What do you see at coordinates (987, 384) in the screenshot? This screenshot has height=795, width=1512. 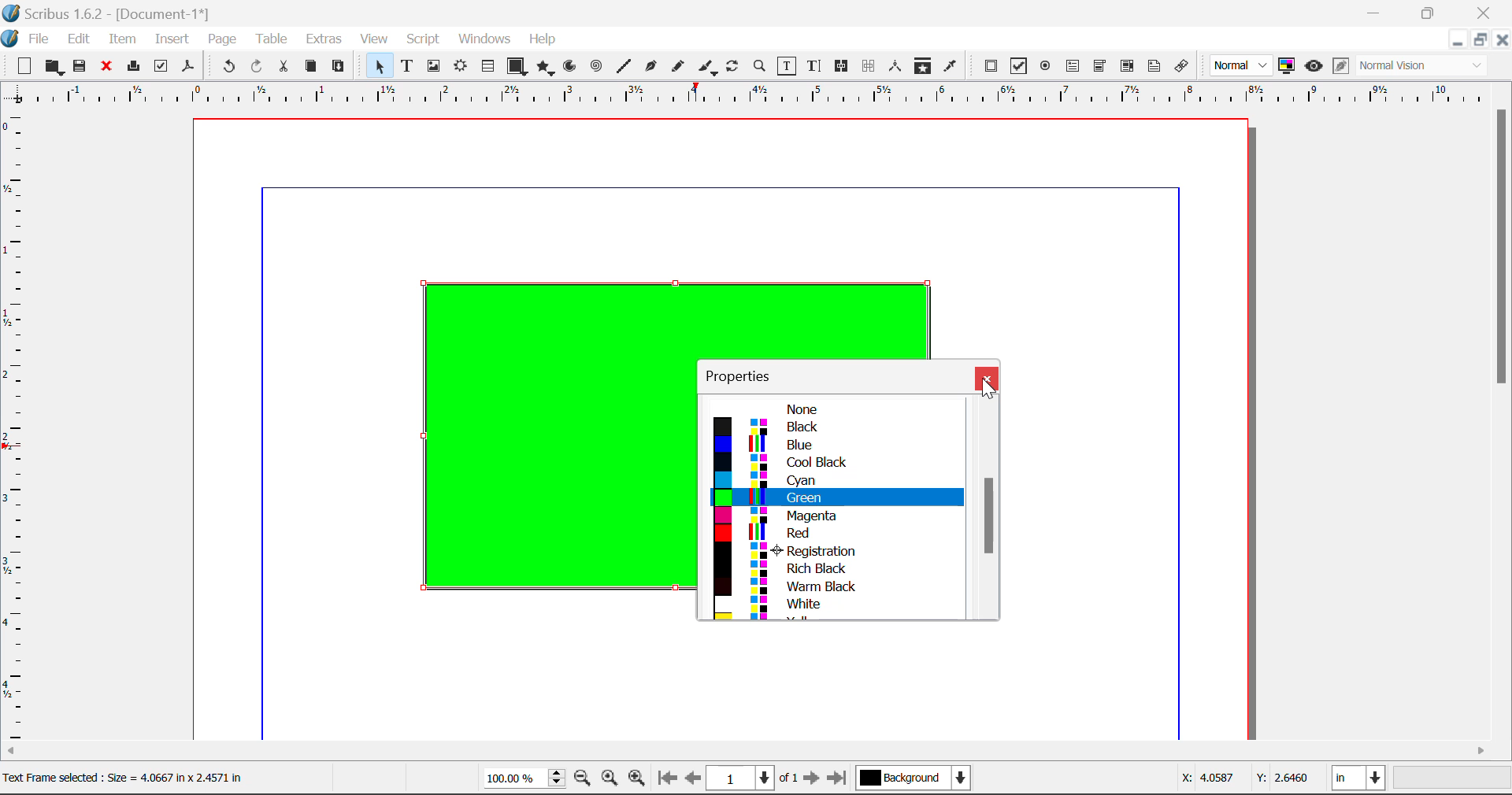 I see `Cursor on Close` at bounding box center [987, 384].